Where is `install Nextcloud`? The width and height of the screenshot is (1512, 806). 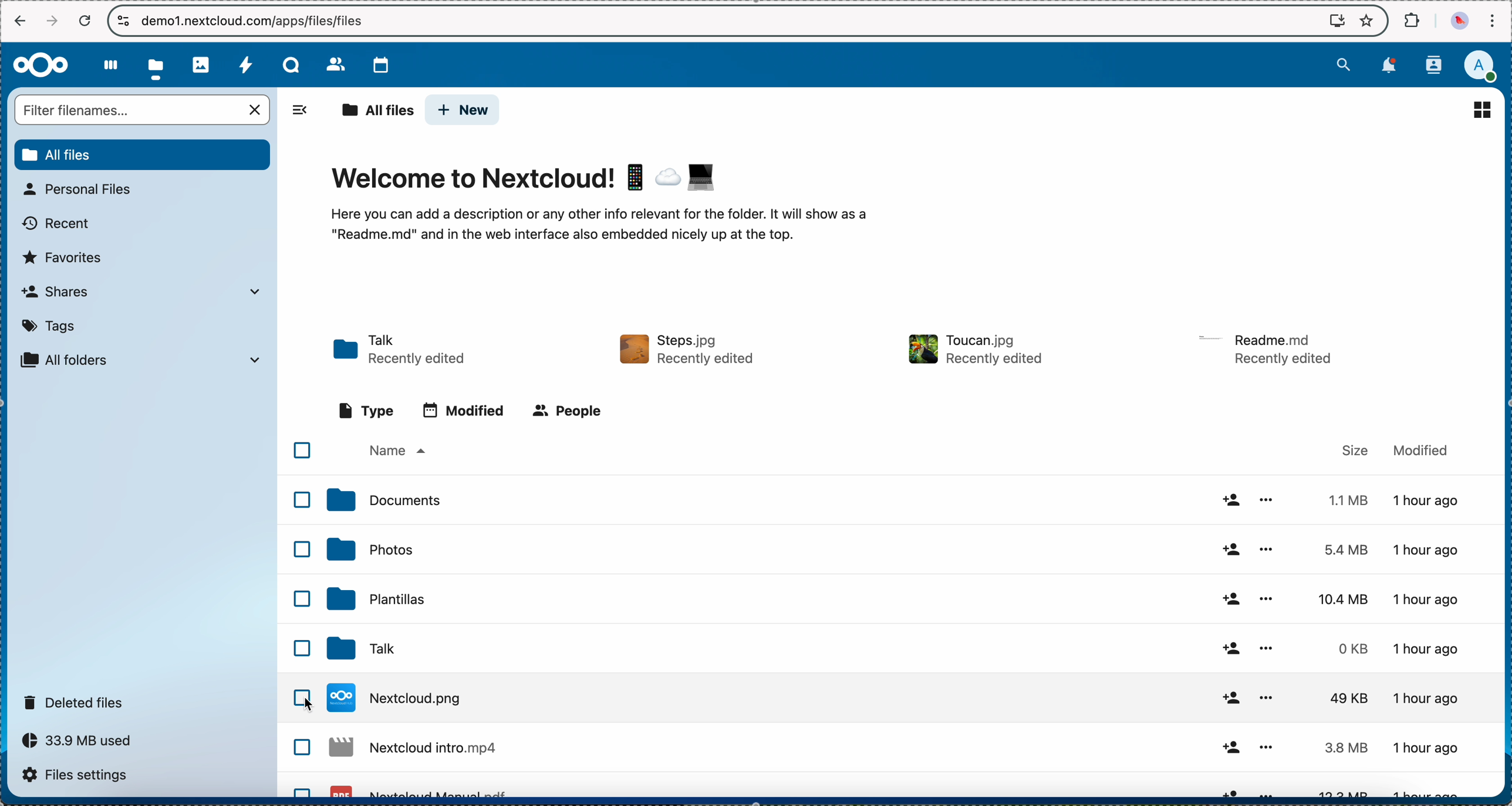 install Nextcloud is located at coordinates (1337, 22).